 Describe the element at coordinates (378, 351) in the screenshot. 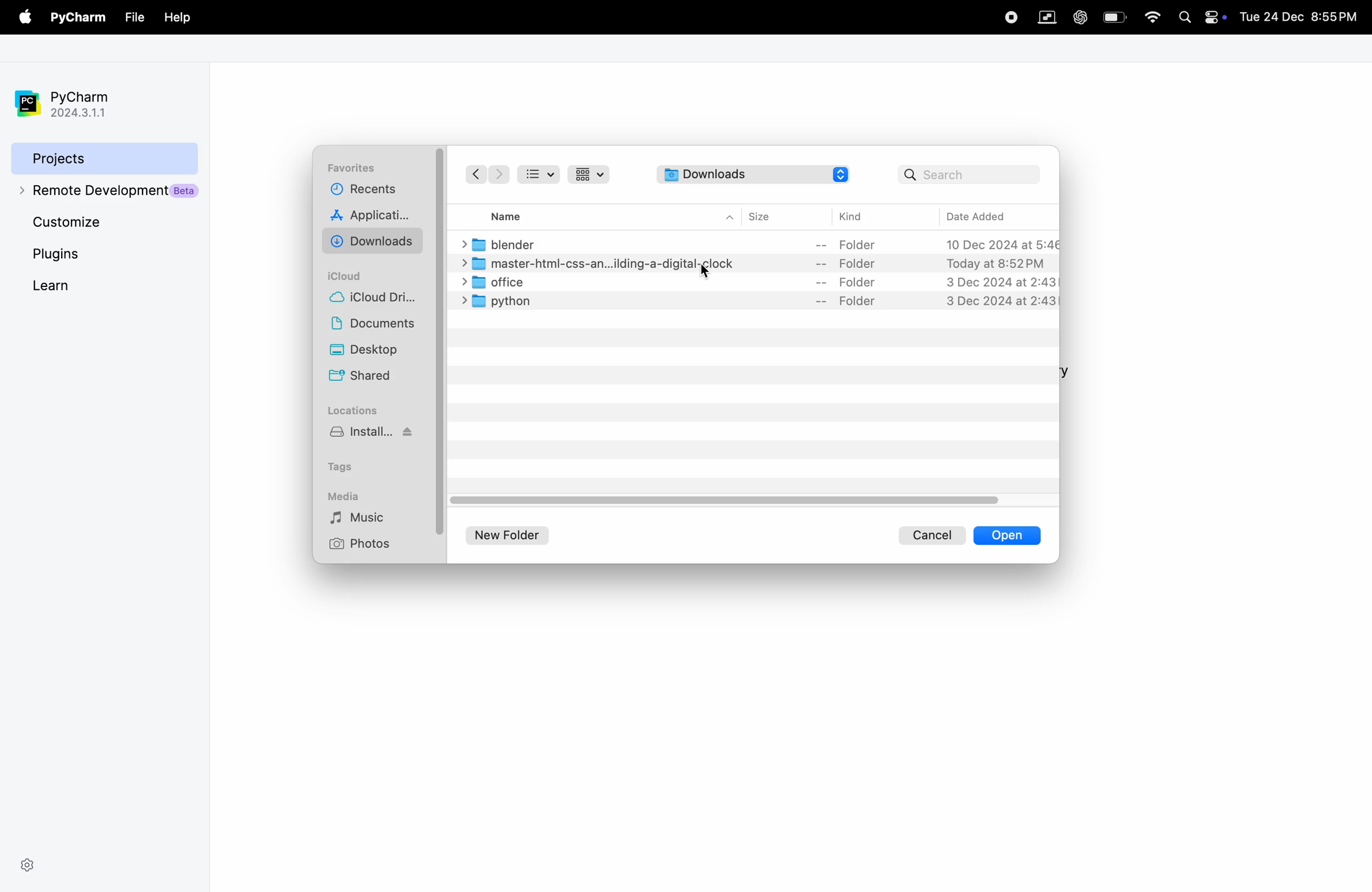

I see `desktop` at that location.